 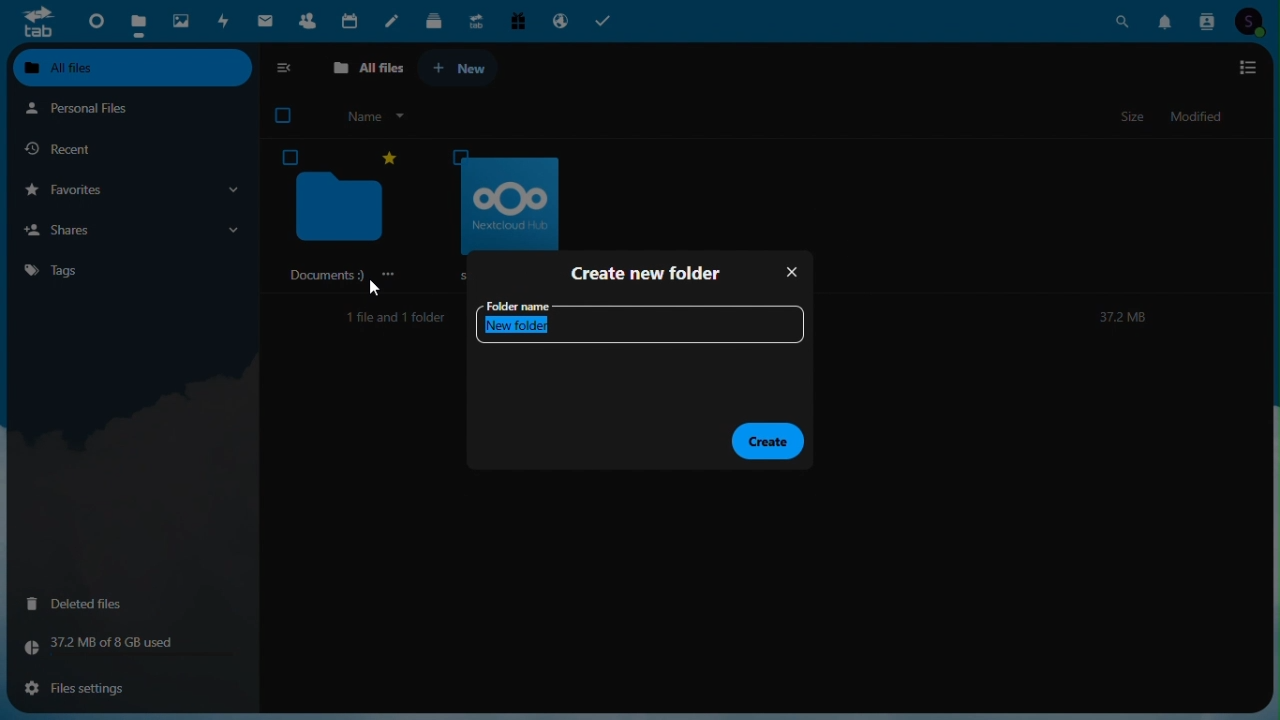 What do you see at coordinates (496, 207) in the screenshot?
I see `oOo` at bounding box center [496, 207].